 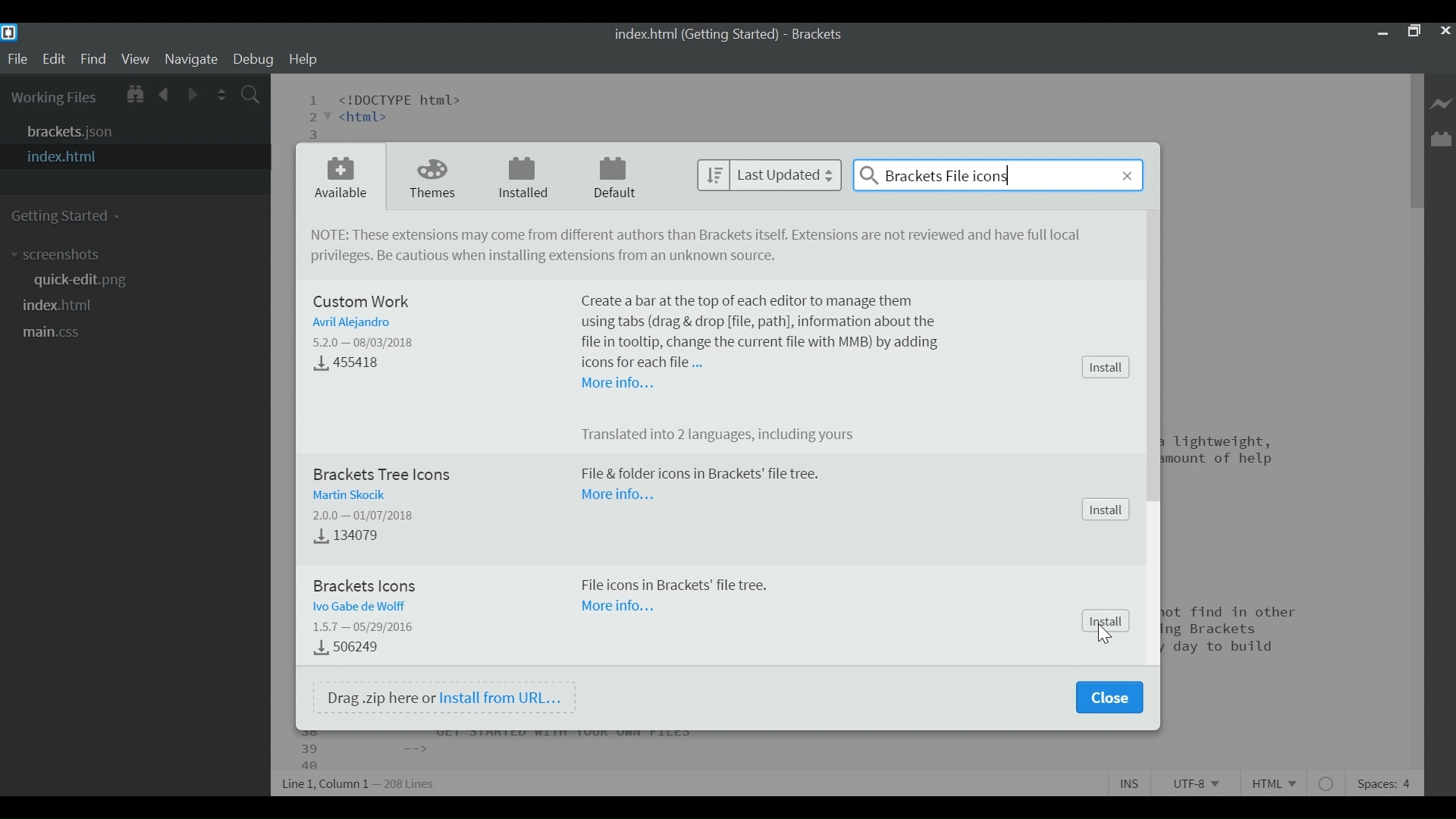 What do you see at coordinates (256, 61) in the screenshot?
I see `Debug` at bounding box center [256, 61].